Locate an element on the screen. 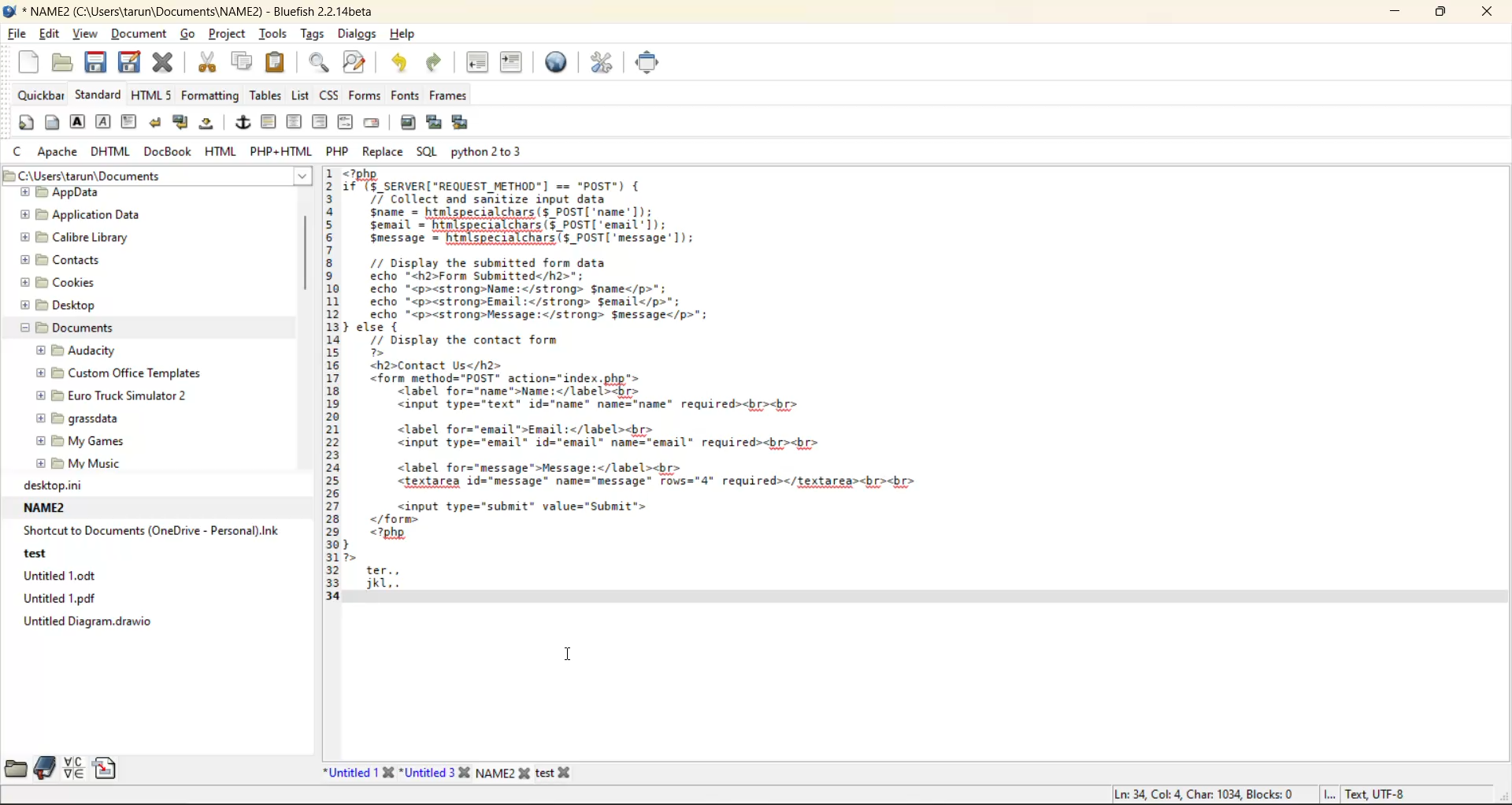  dialogs is located at coordinates (357, 36).